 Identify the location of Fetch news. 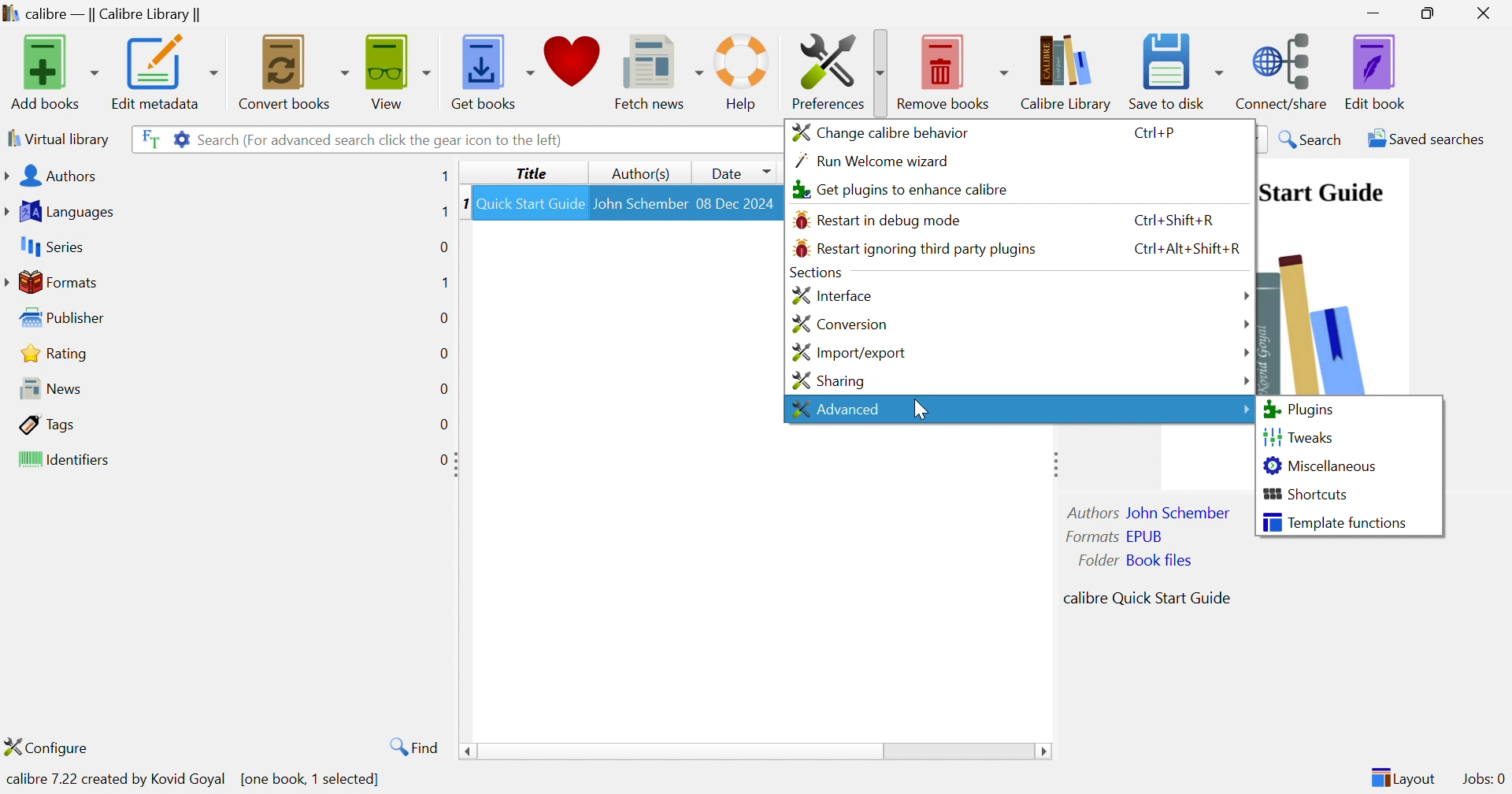
(661, 69).